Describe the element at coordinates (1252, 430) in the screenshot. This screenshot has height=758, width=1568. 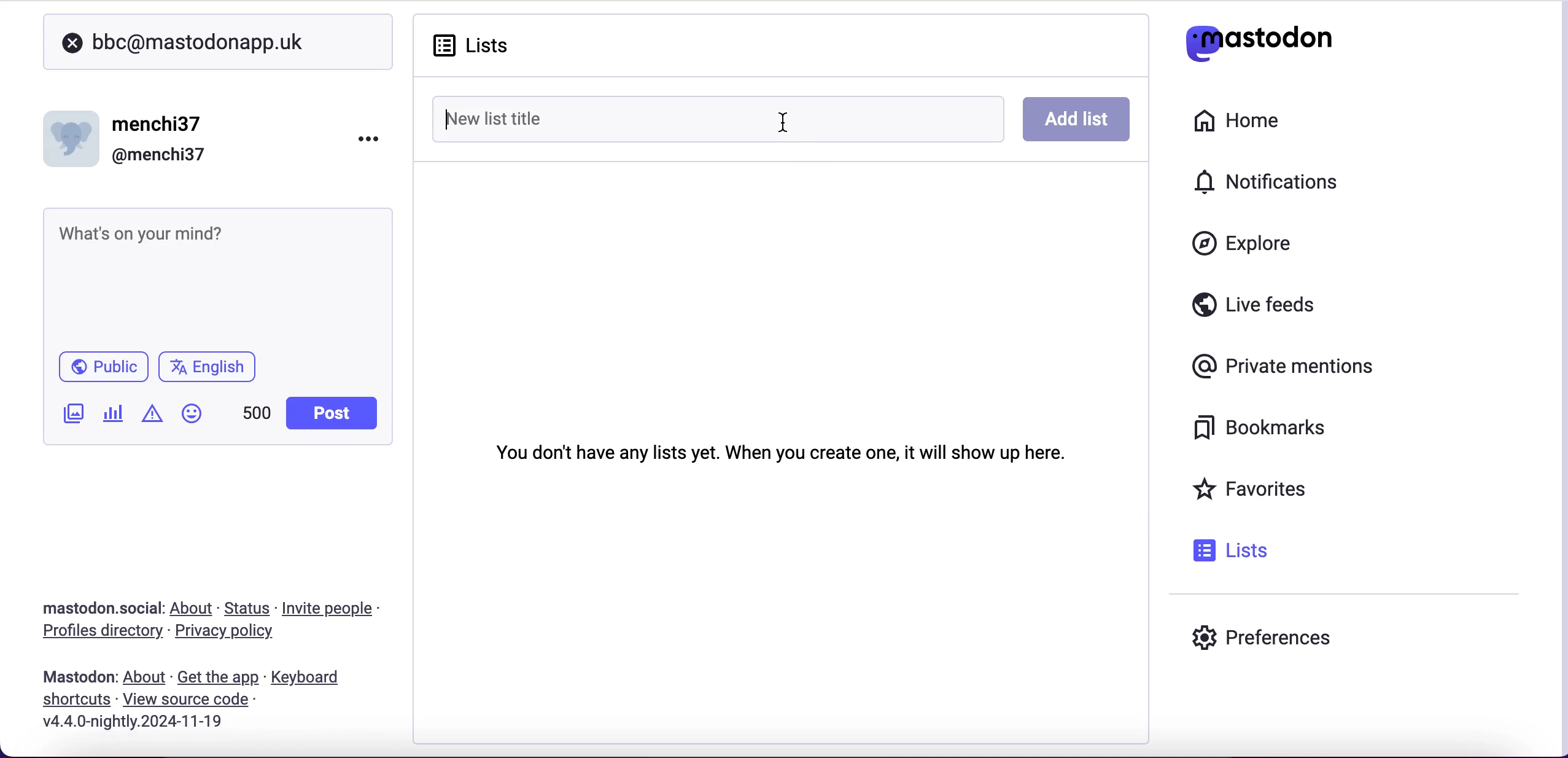
I see `bookmarks` at that location.